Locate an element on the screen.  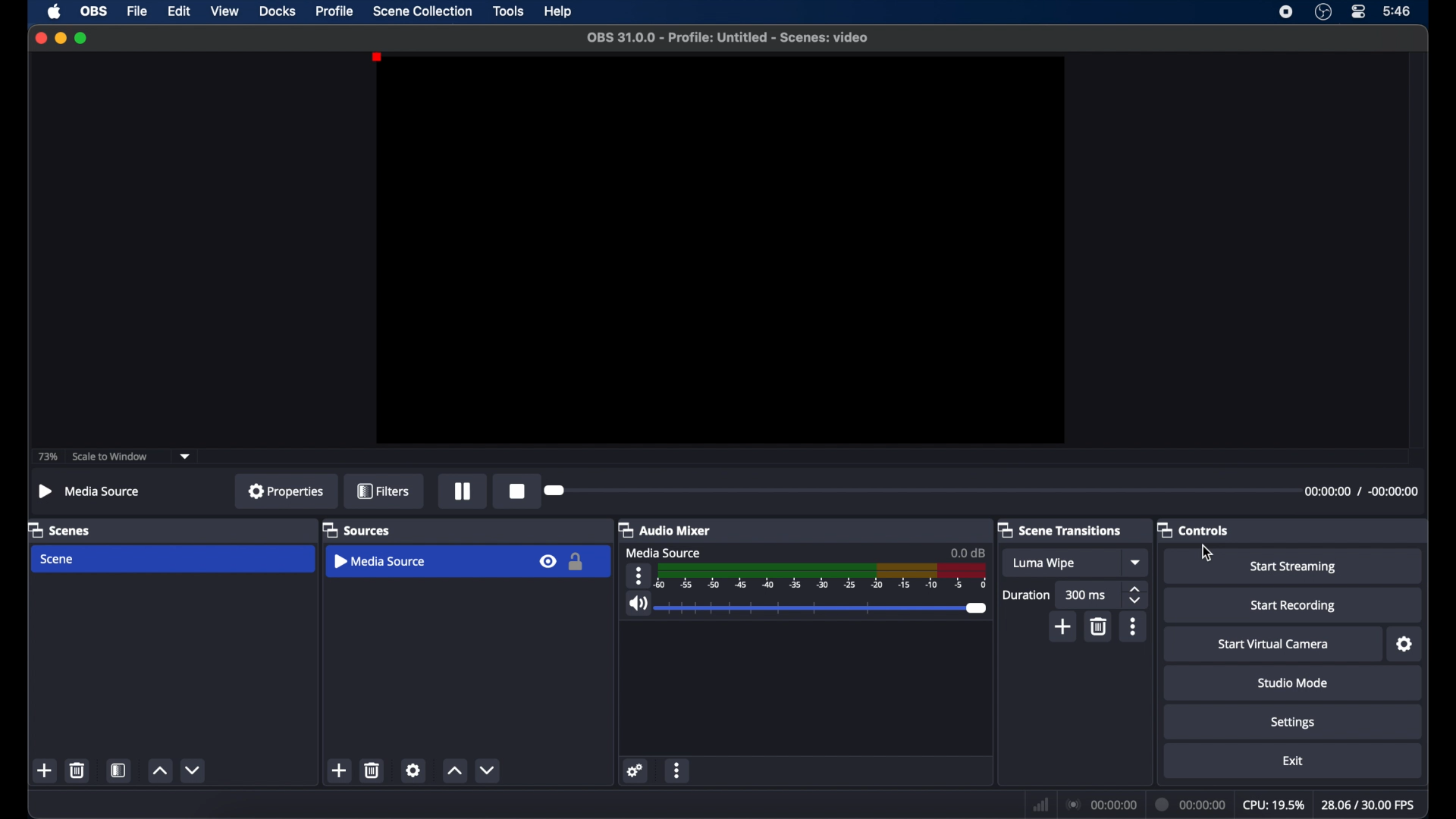
studio mode is located at coordinates (1292, 682).